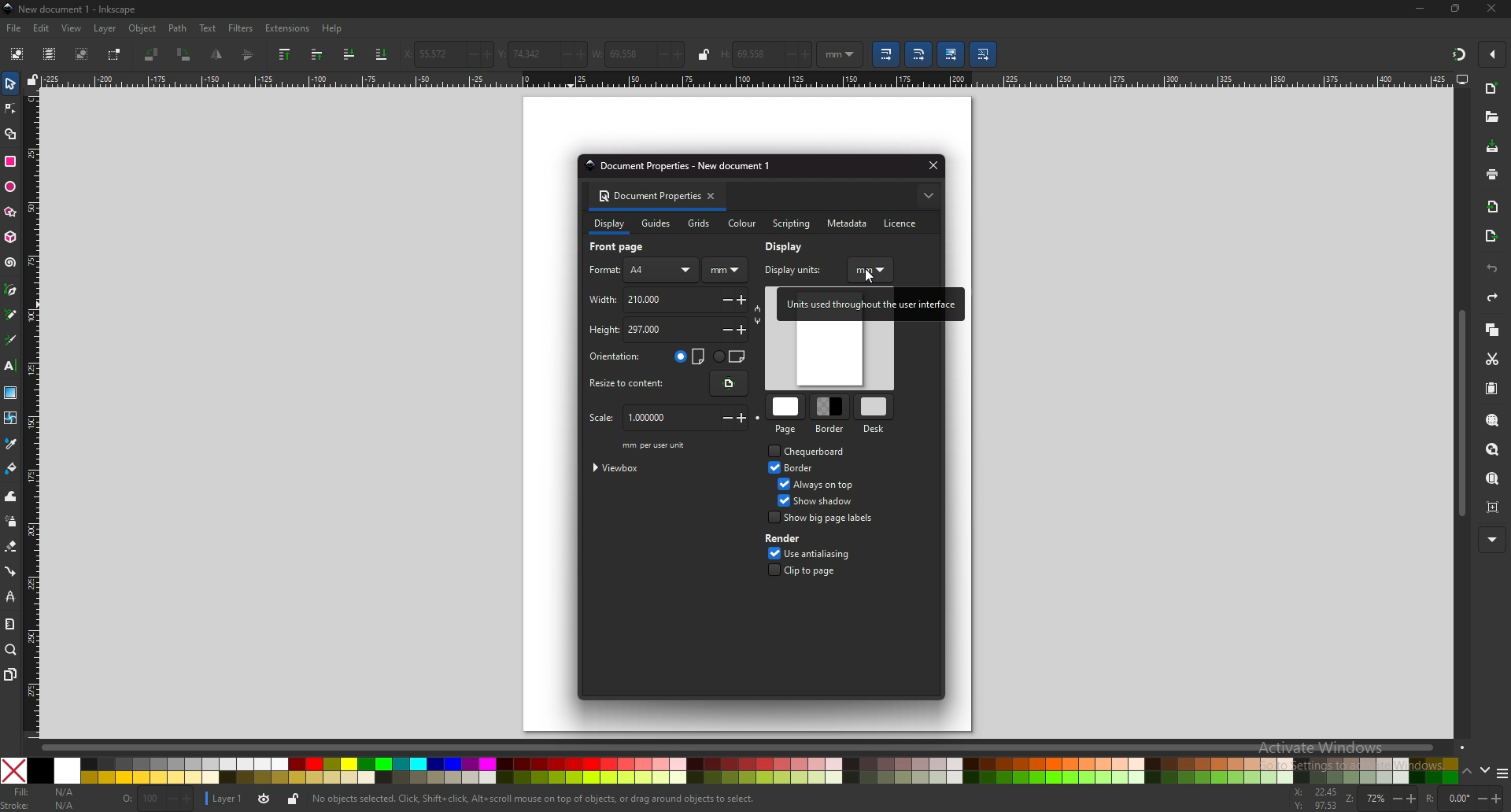 The width and height of the screenshot is (1511, 812). I want to click on mm, so click(871, 271).